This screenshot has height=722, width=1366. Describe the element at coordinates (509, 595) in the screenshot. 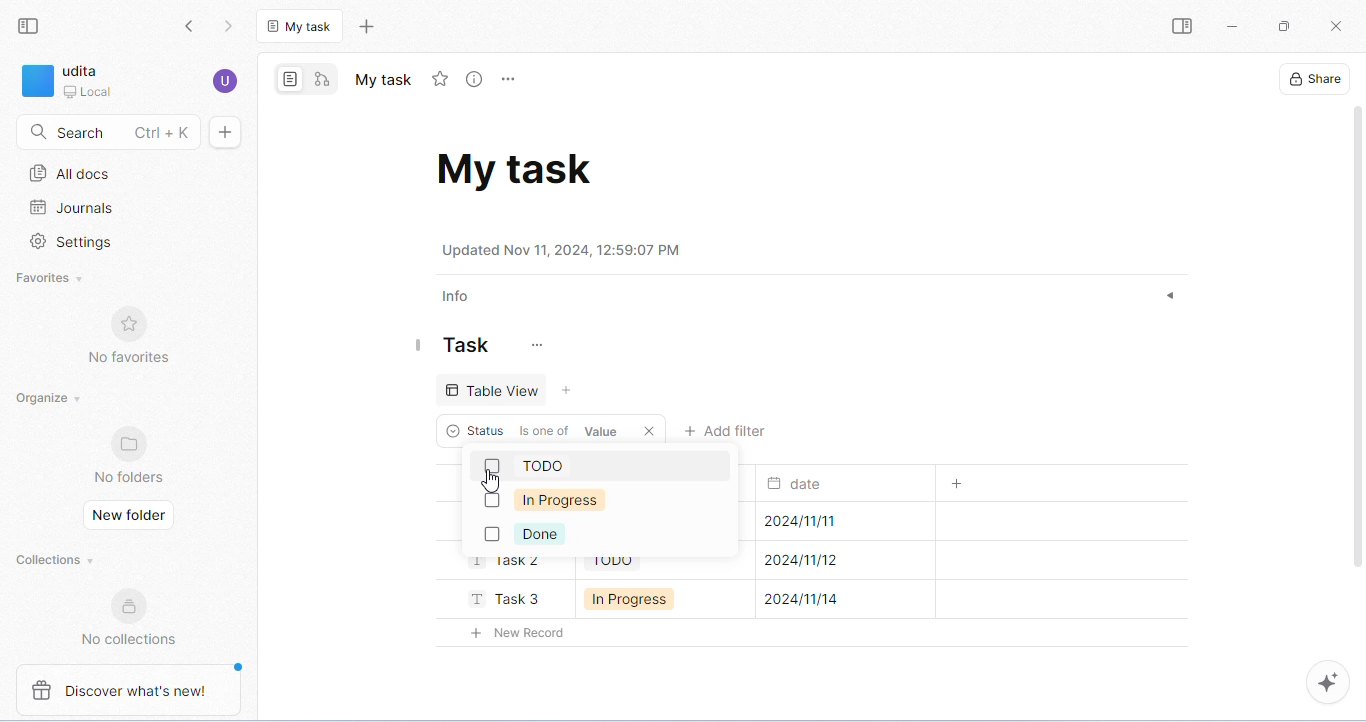

I see `task3` at that location.